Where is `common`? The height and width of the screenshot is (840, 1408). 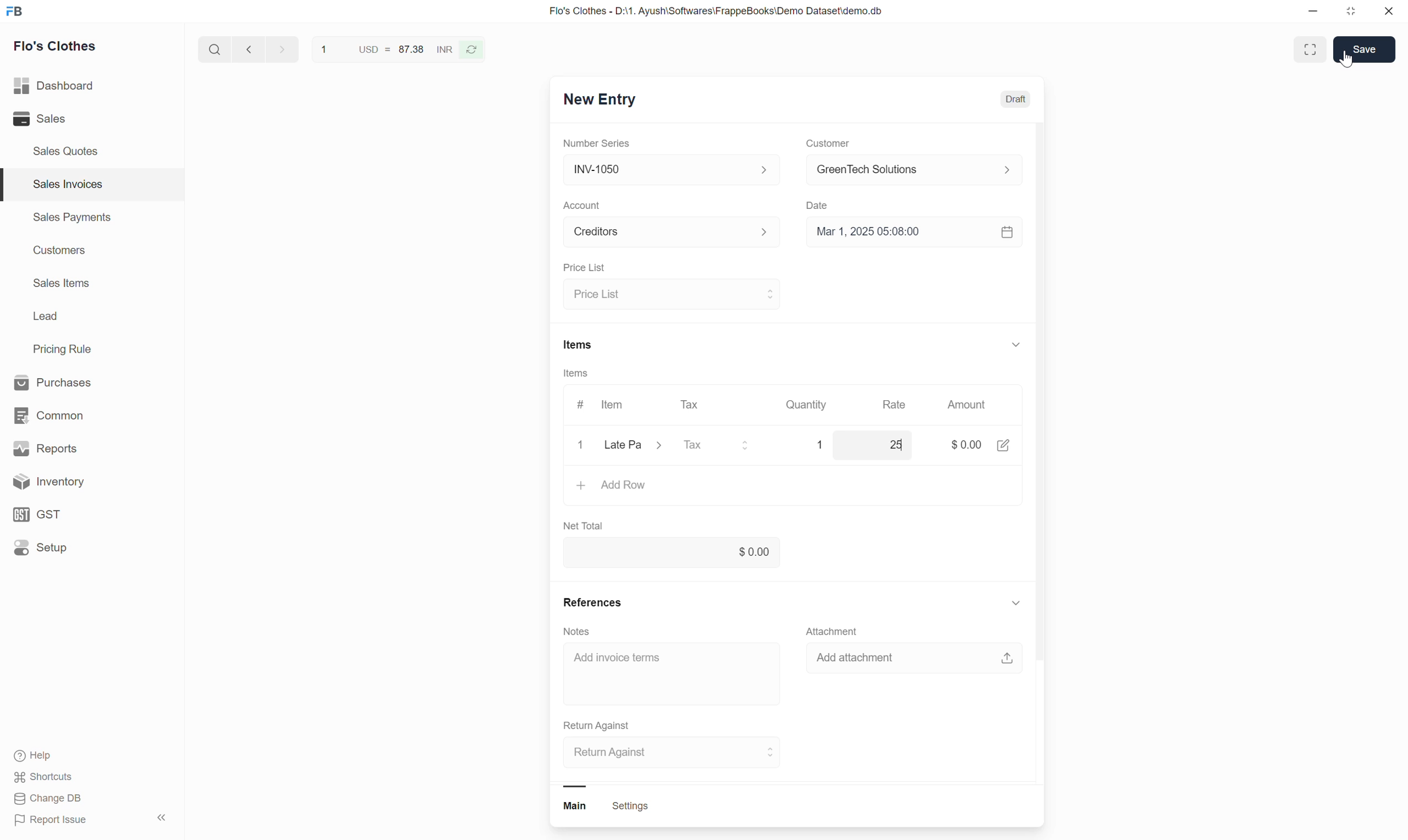
common is located at coordinates (74, 413).